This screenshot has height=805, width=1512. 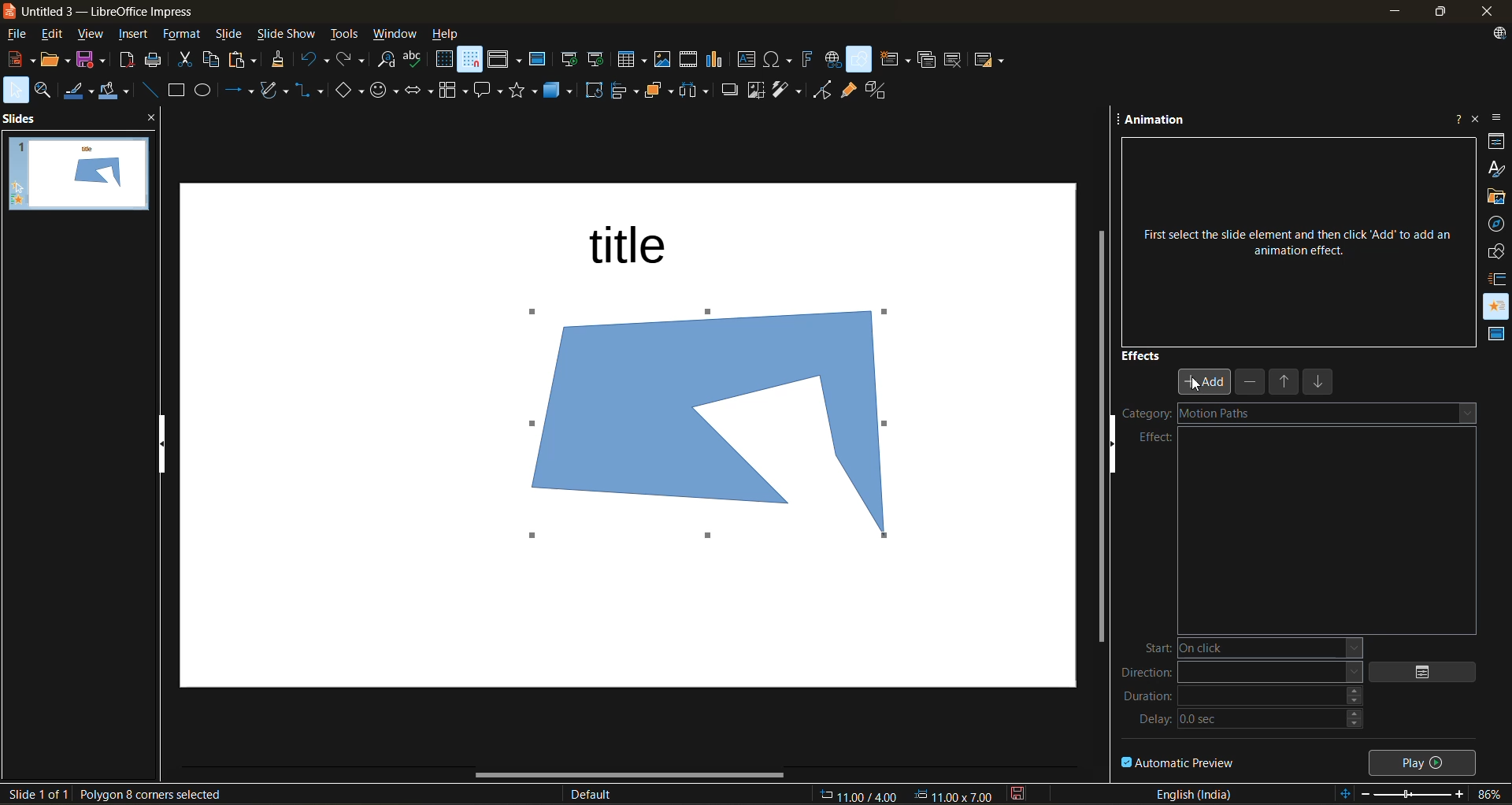 What do you see at coordinates (754, 91) in the screenshot?
I see `crop image` at bounding box center [754, 91].